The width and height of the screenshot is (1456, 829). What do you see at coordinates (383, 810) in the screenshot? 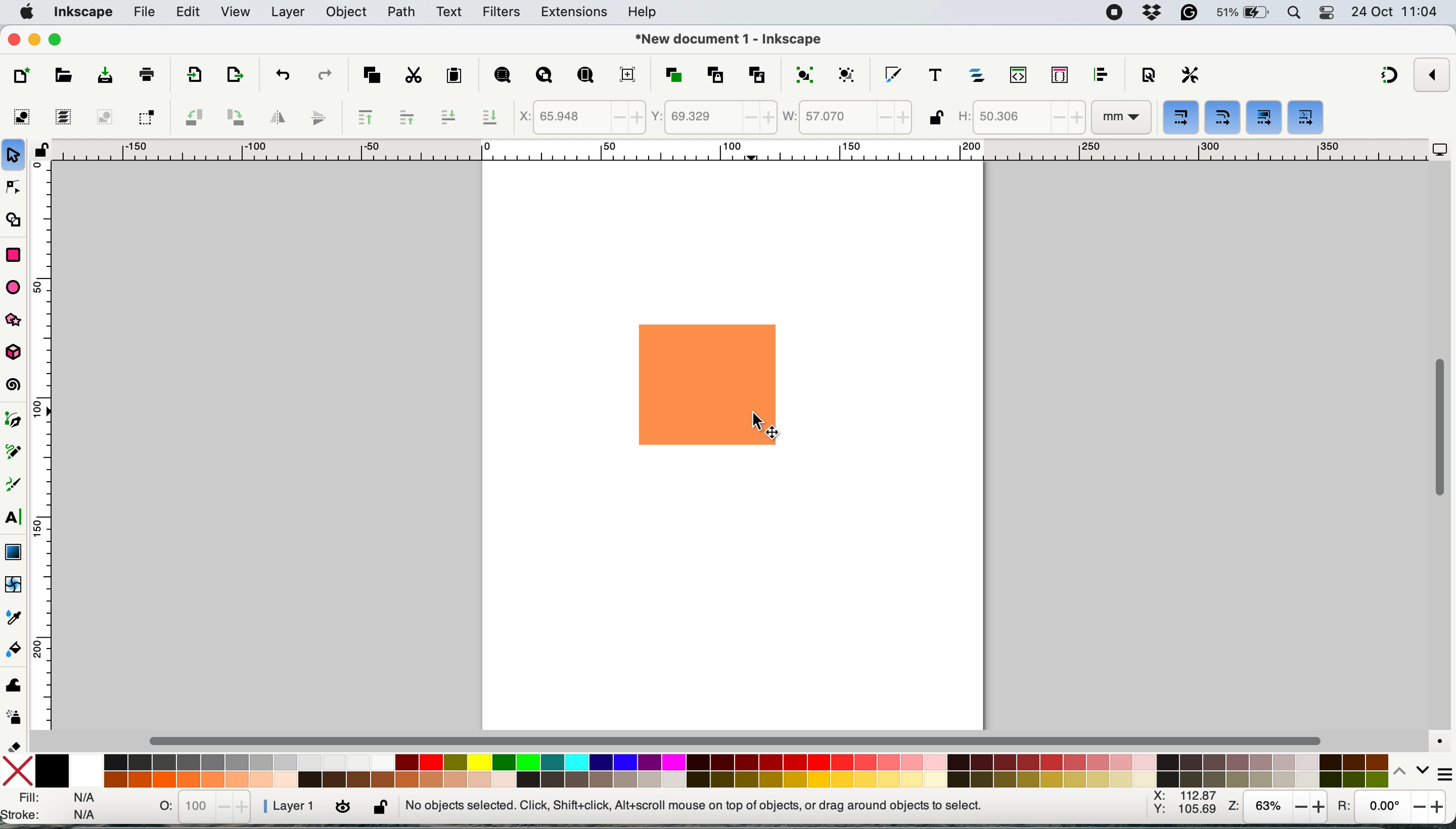
I see `lock unlock current layer` at bounding box center [383, 810].